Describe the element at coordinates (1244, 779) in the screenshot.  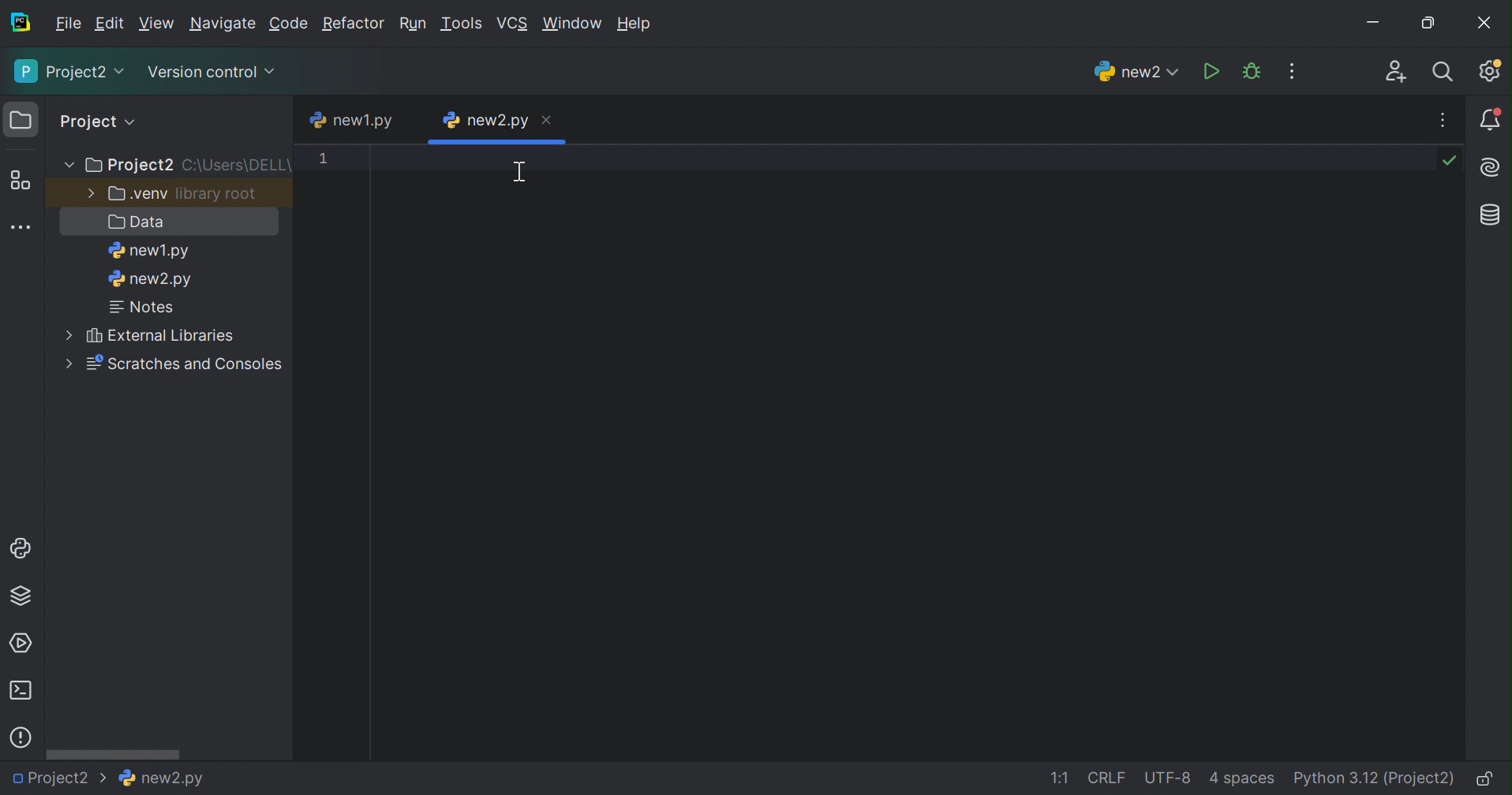
I see `4 spaces` at that location.